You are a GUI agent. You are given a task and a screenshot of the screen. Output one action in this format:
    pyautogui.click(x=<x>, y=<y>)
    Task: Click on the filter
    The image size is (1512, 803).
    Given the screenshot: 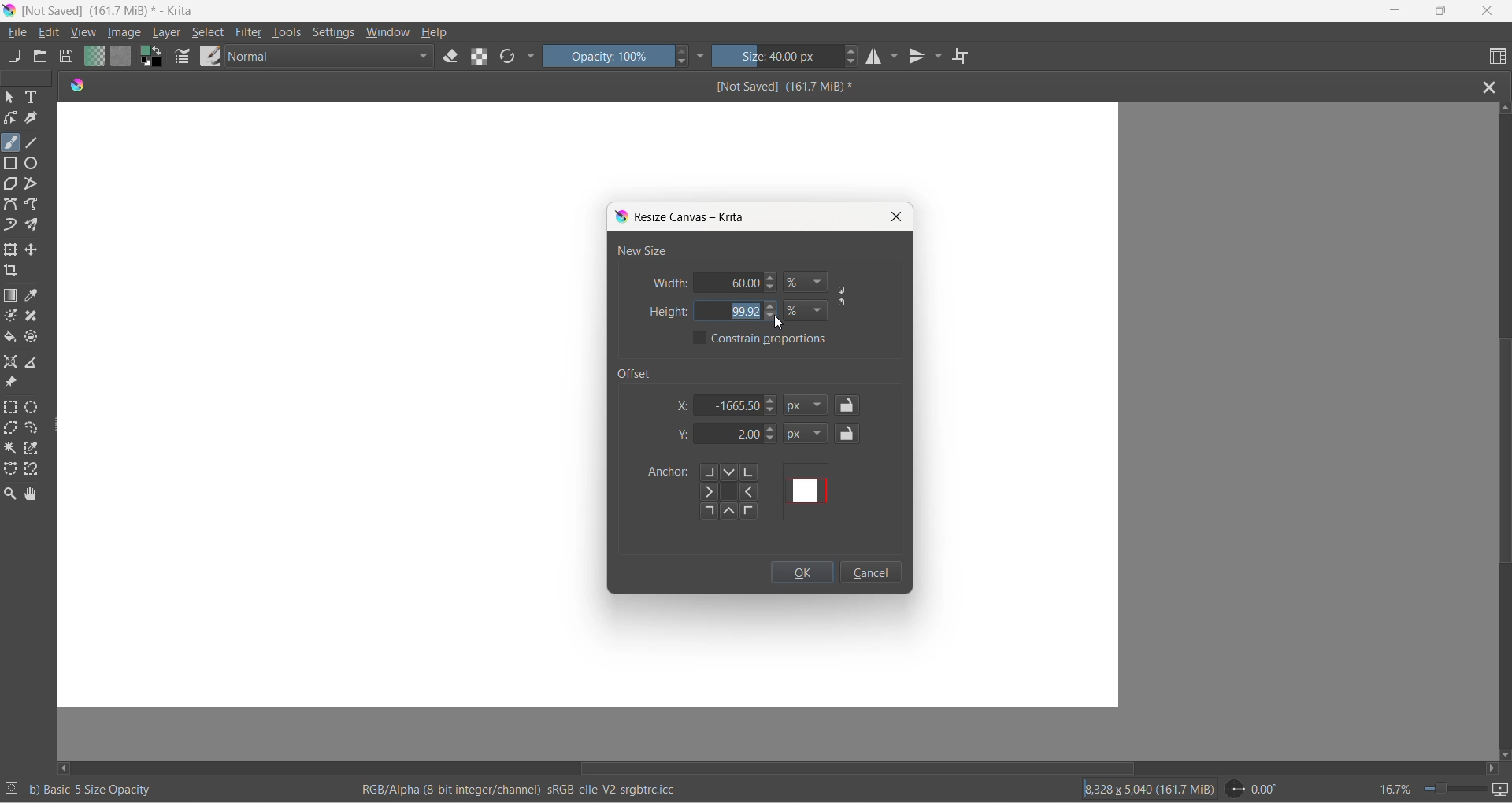 What is the action you would take?
    pyautogui.click(x=250, y=35)
    